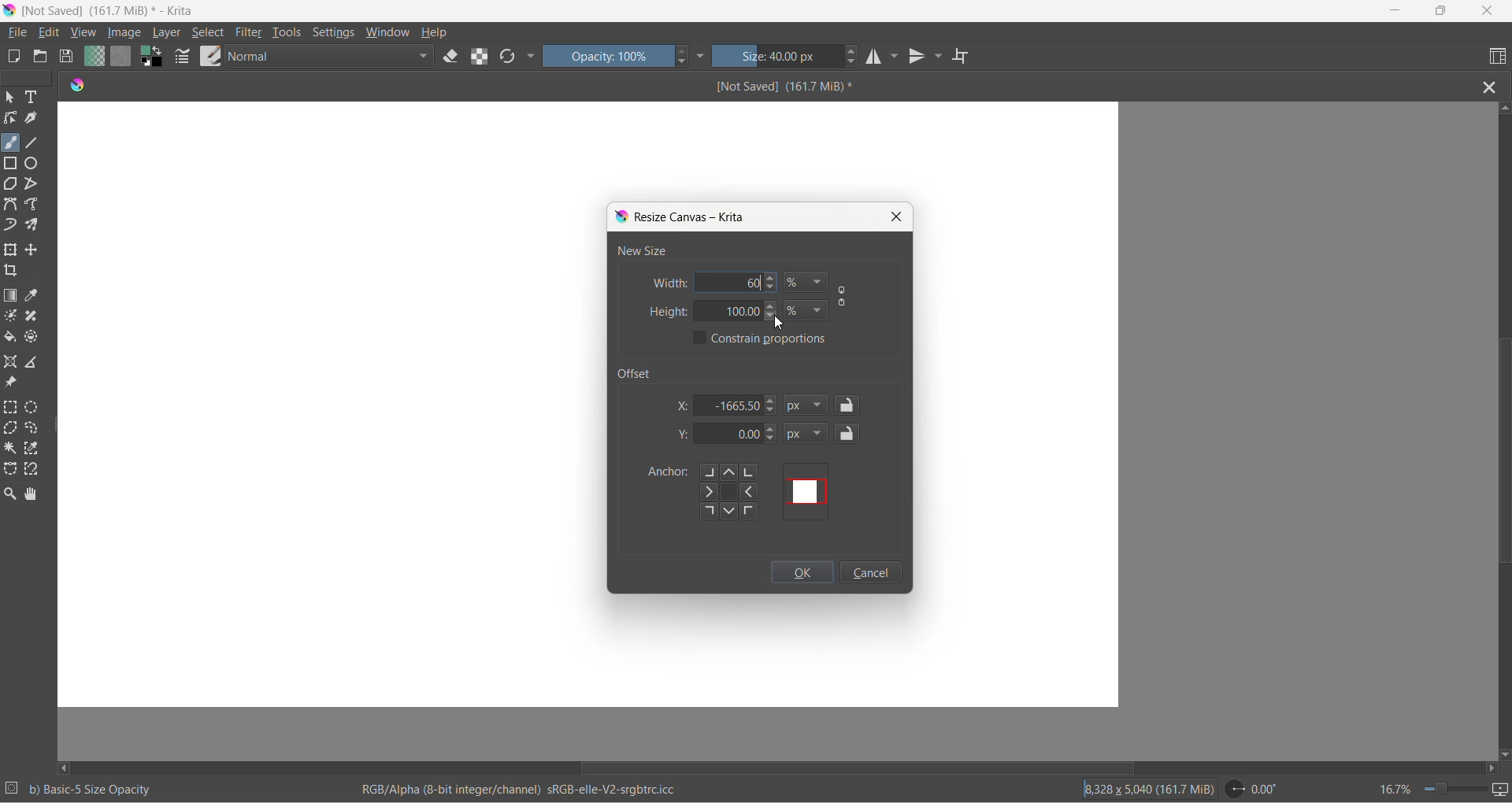 This screenshot has height=803, width=1512. What do you see at coordinates (1503, 107) in the screenshot?
I see `scroll up button` at bounding box center [1503, 107].